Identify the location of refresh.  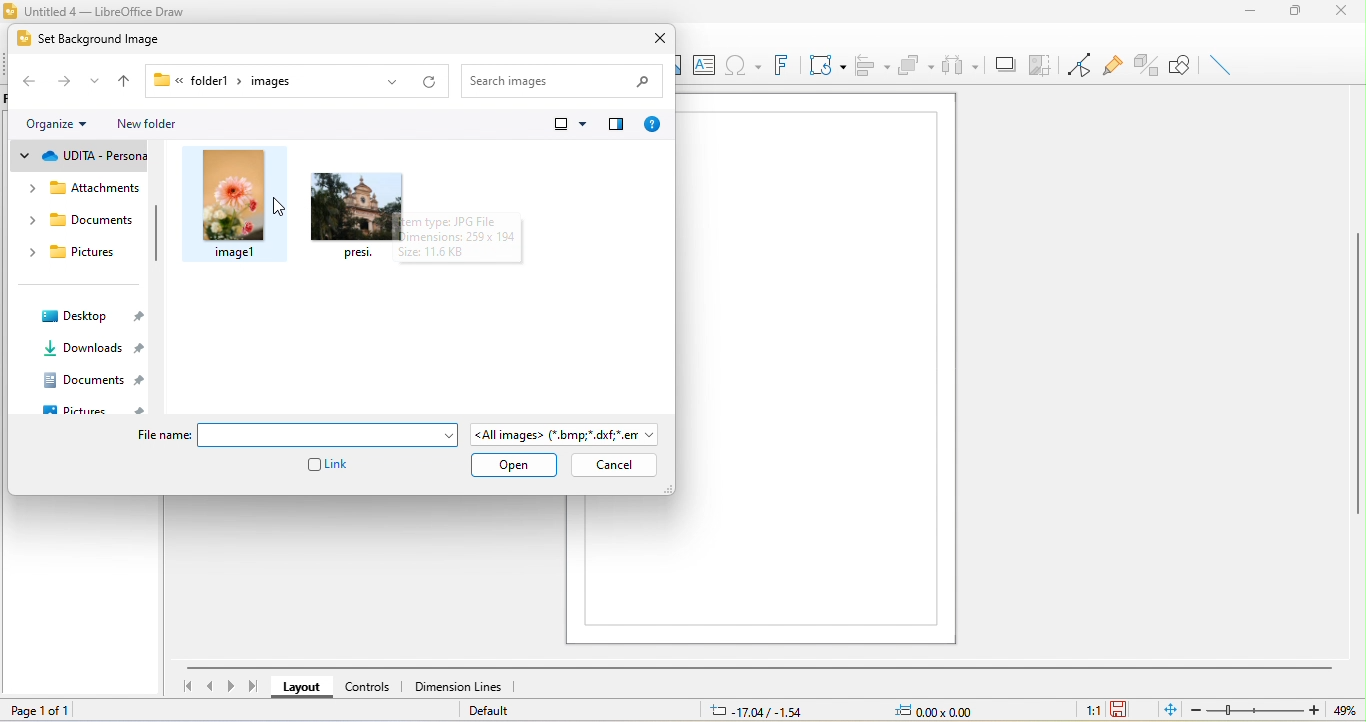
(424, 80).